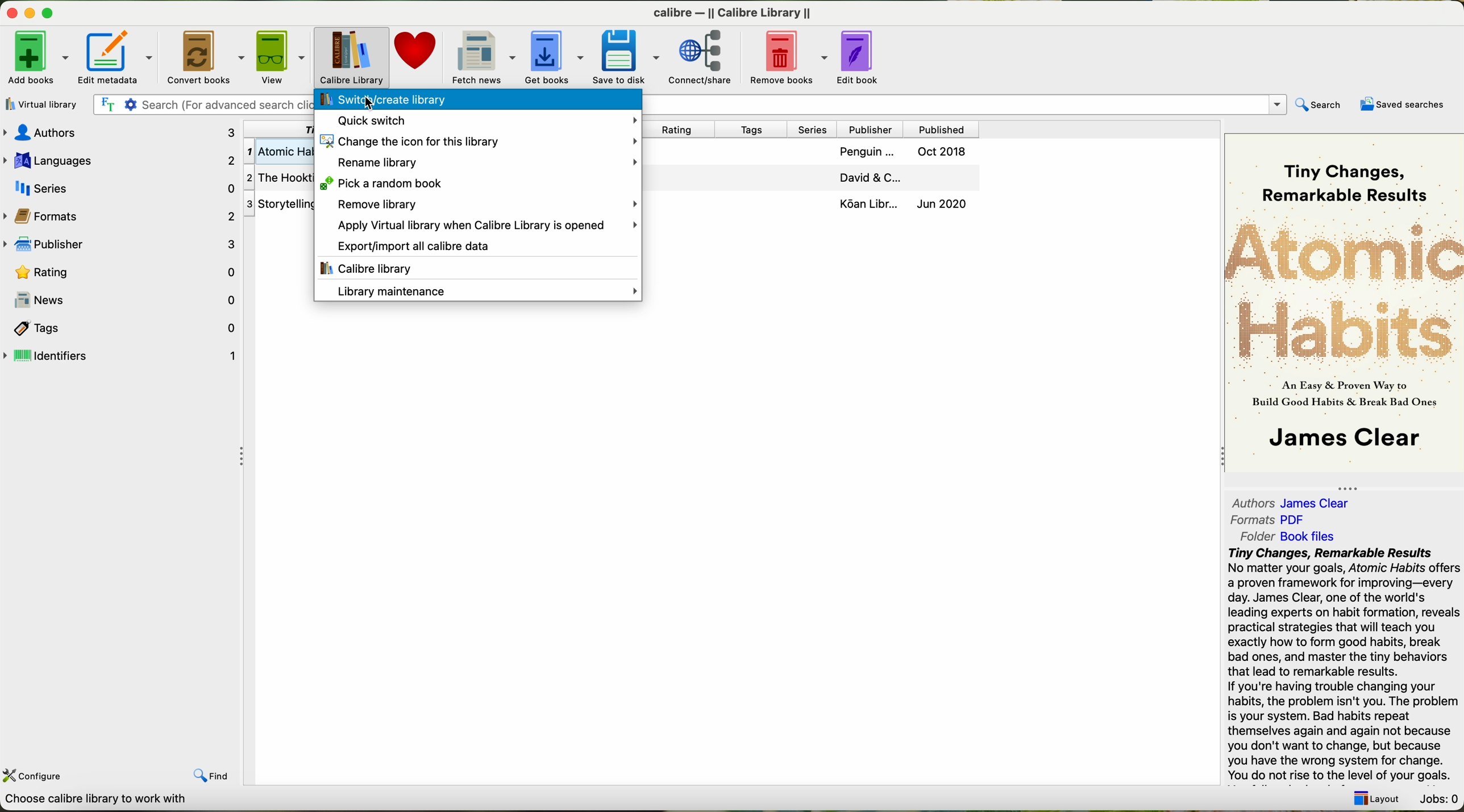 Image resolution: width=1464 pixels, height=812 pixels. I want to click on languages, so click(120, 159).